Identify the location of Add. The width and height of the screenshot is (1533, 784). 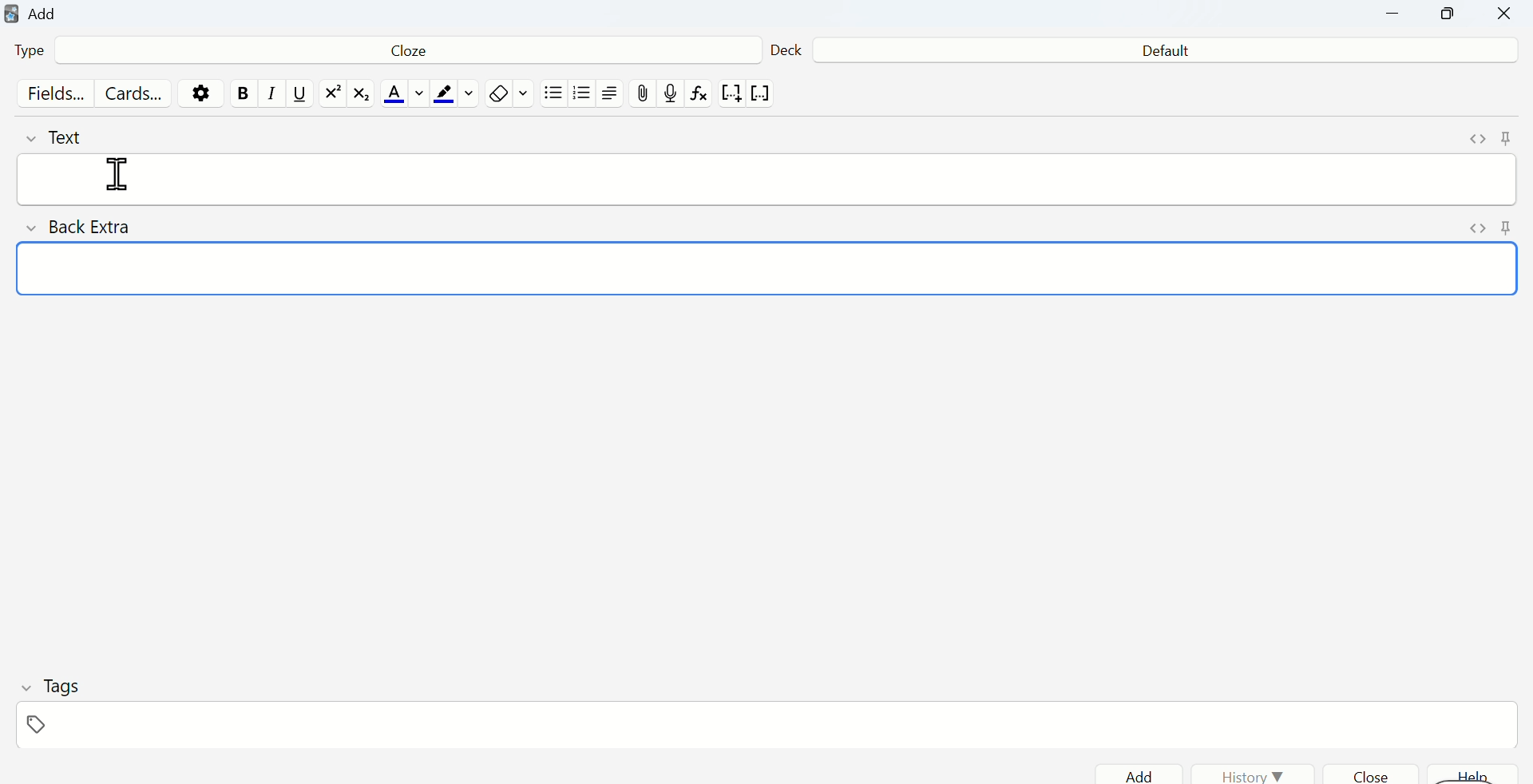
(1152, 774).